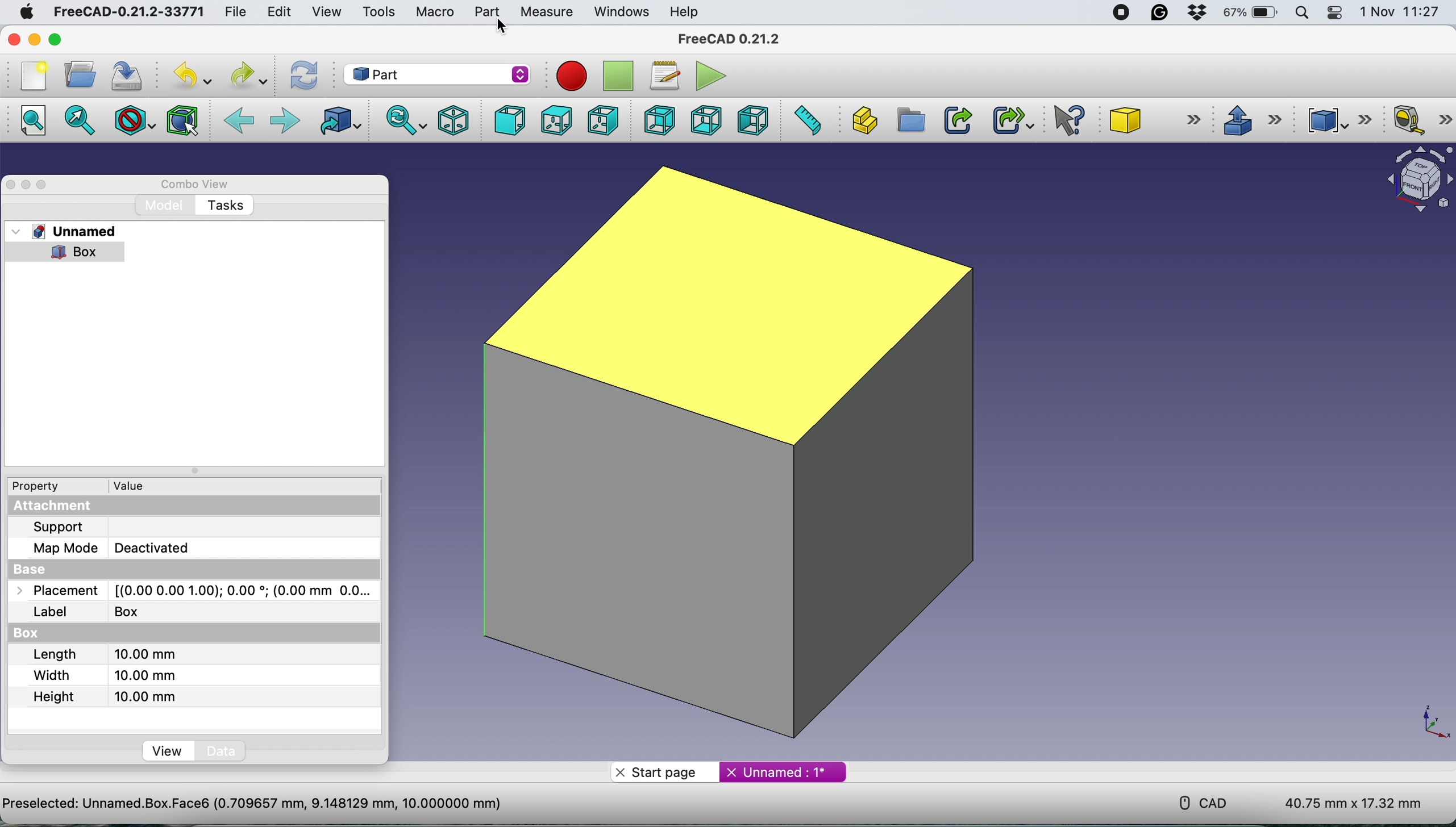 The width and height of the screenshot is (1456, 827). What do you see at coordinates (116, 547) in the screenshot?
I see `map mode - deactivated` at bounding box center [116, 547].